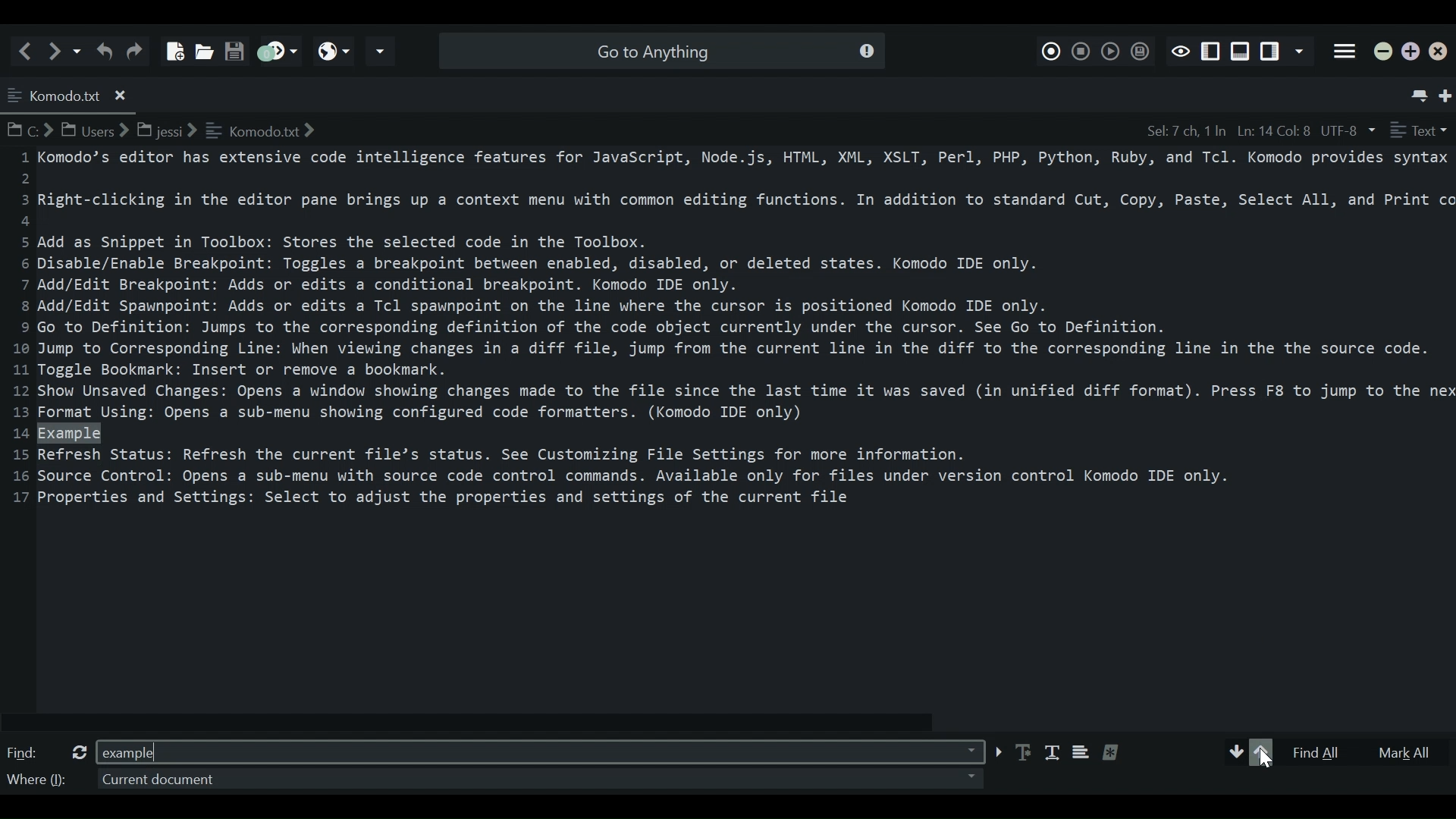  What do you see at coordinates (1235, 752) in the screenshot?
I see `Arrow down` at bounding box center [1235, 752].